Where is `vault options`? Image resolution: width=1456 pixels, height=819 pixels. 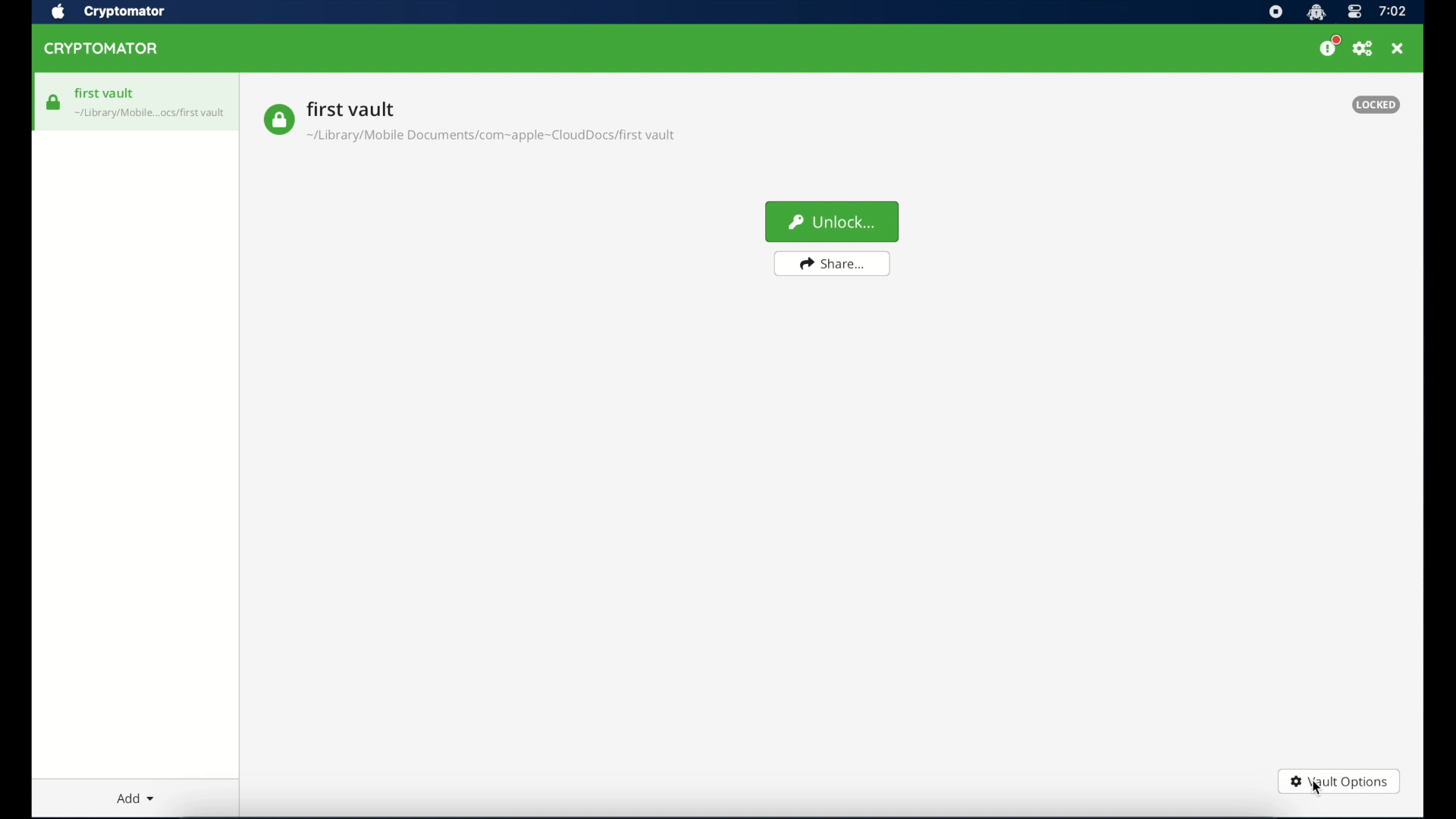 vault options is located at coordinates (1338, 783).